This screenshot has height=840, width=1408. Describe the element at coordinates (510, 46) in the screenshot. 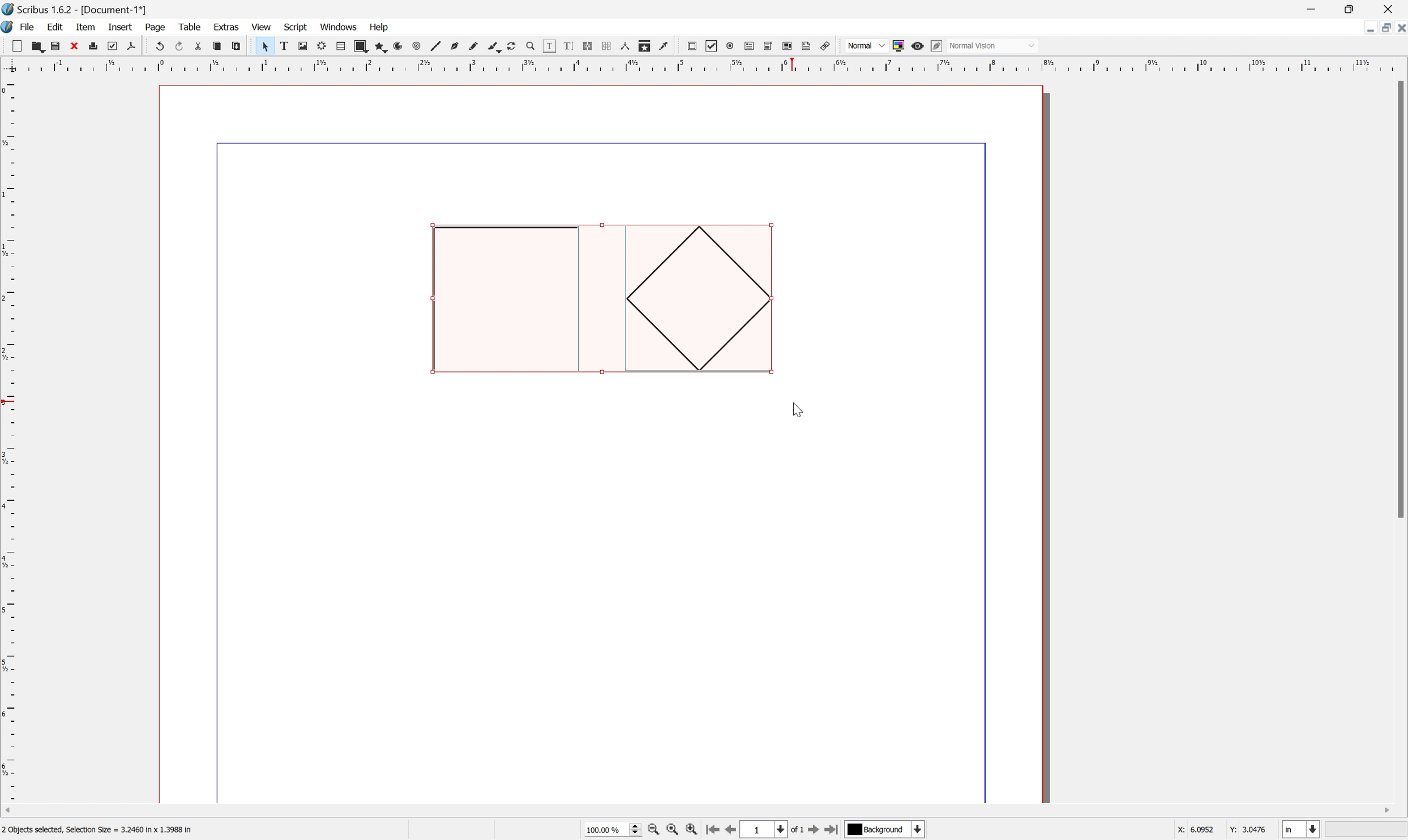

I see `rotate item` at that location.